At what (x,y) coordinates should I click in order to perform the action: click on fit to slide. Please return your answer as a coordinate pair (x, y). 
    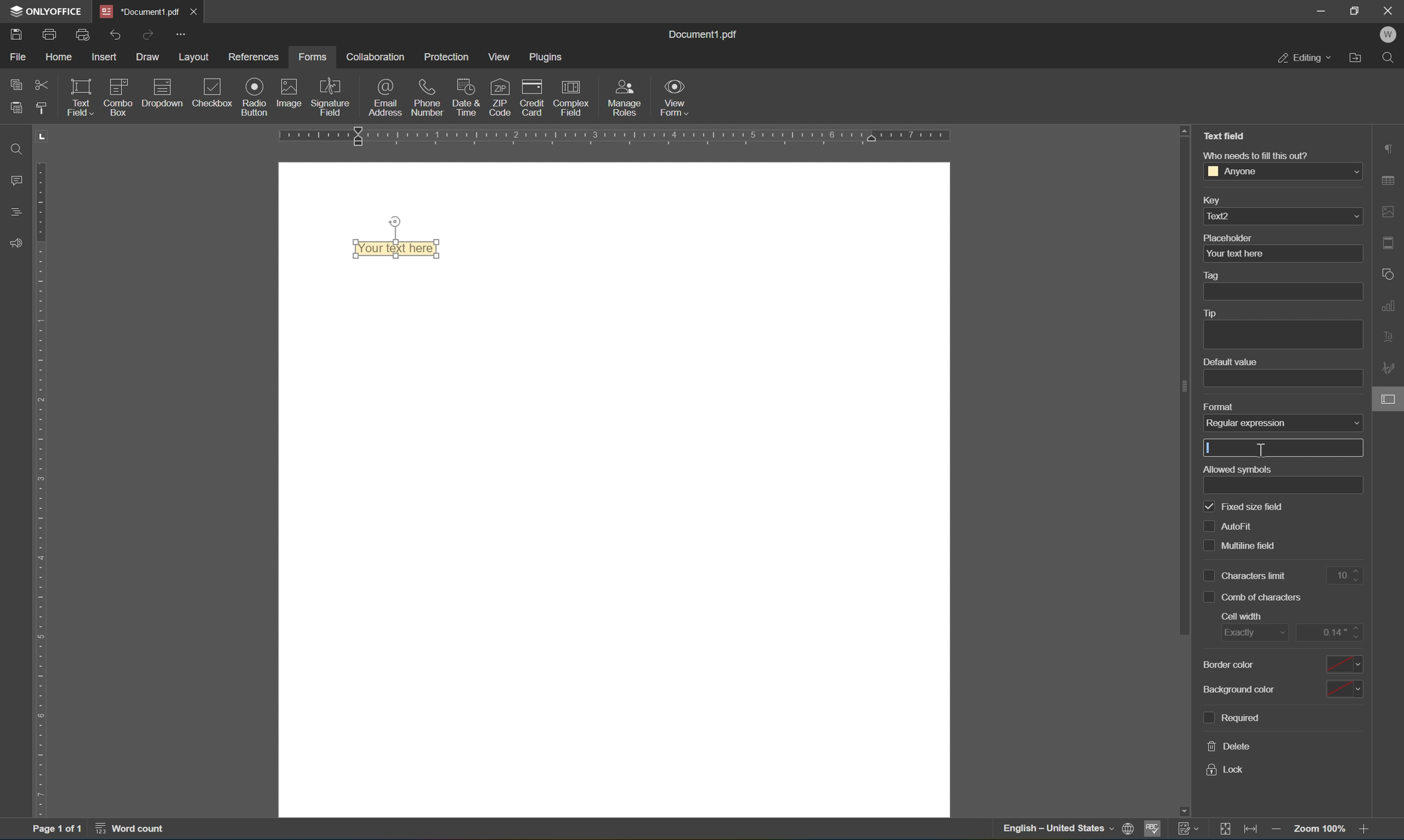
    Looking at the image, I should click on (1222, 832).